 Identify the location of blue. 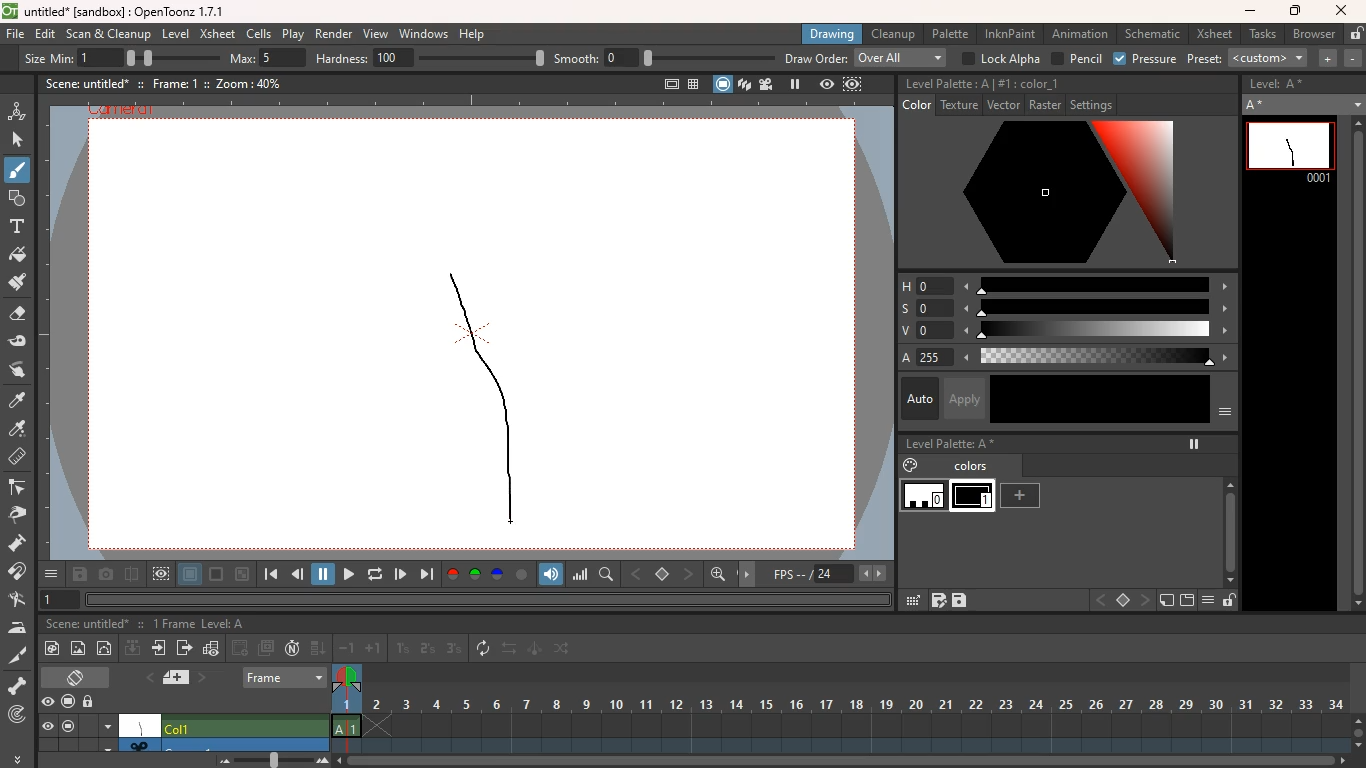
(499, 575).